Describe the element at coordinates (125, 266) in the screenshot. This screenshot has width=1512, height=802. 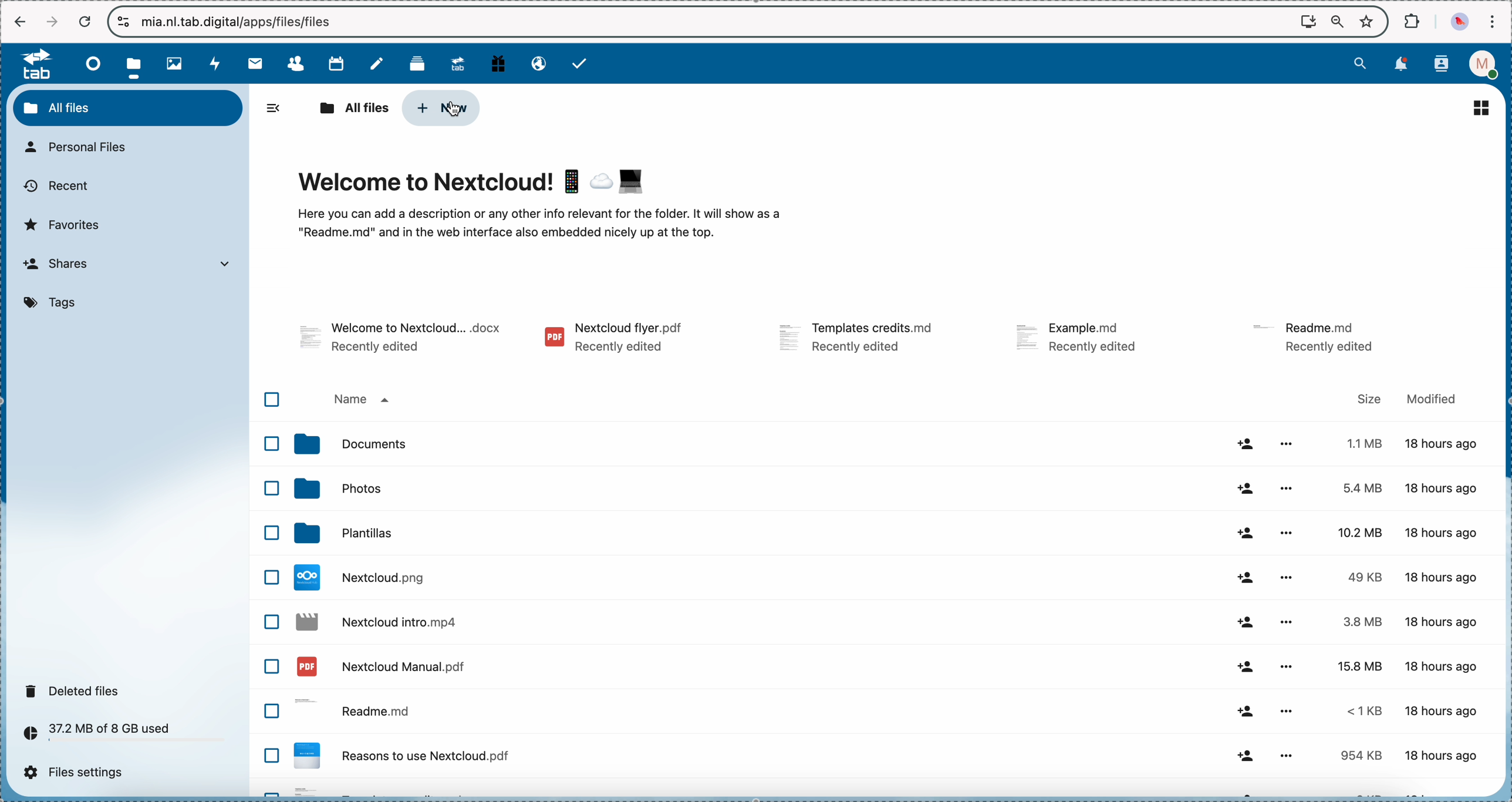
I see `shares` at that location.